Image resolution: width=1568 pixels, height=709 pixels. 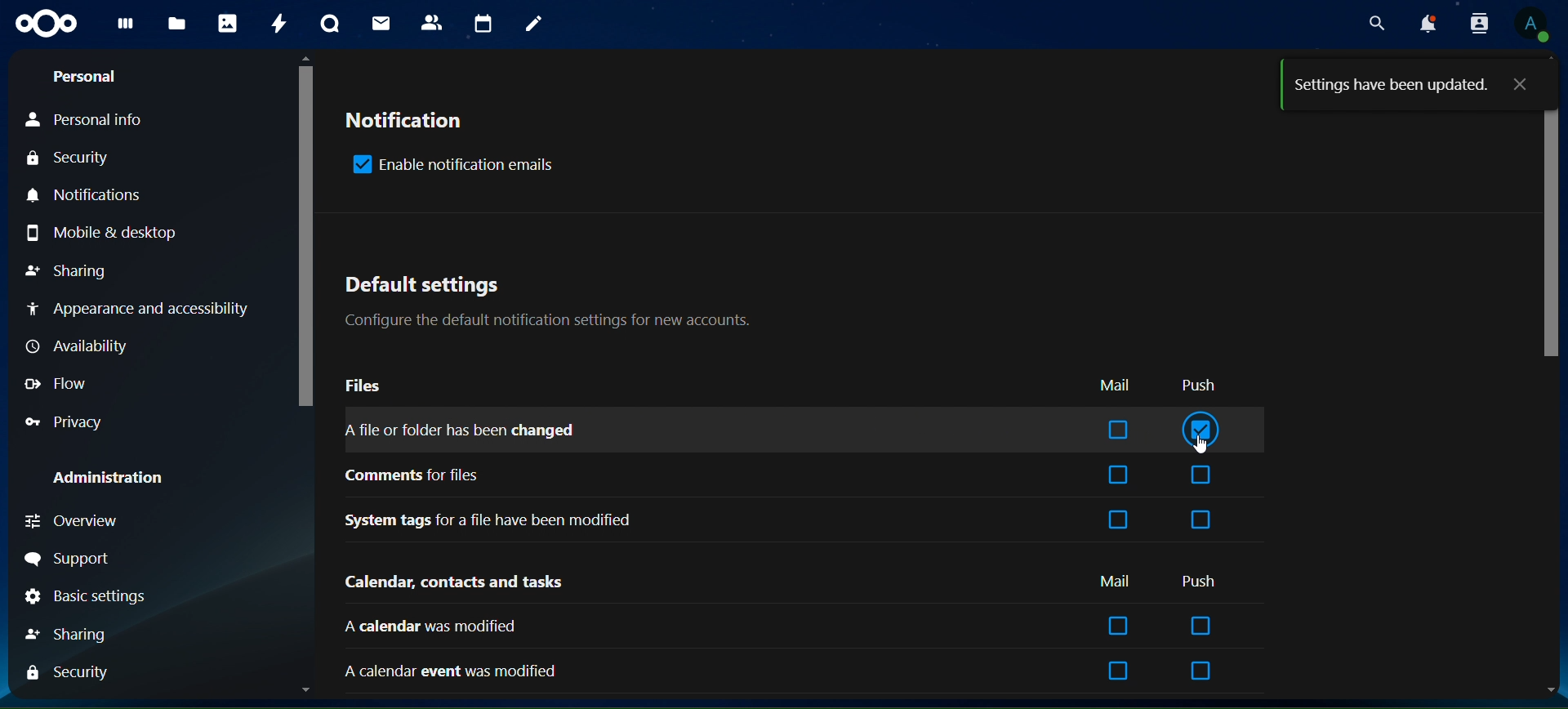 I want to click on box, so click(x=1201, y=476).